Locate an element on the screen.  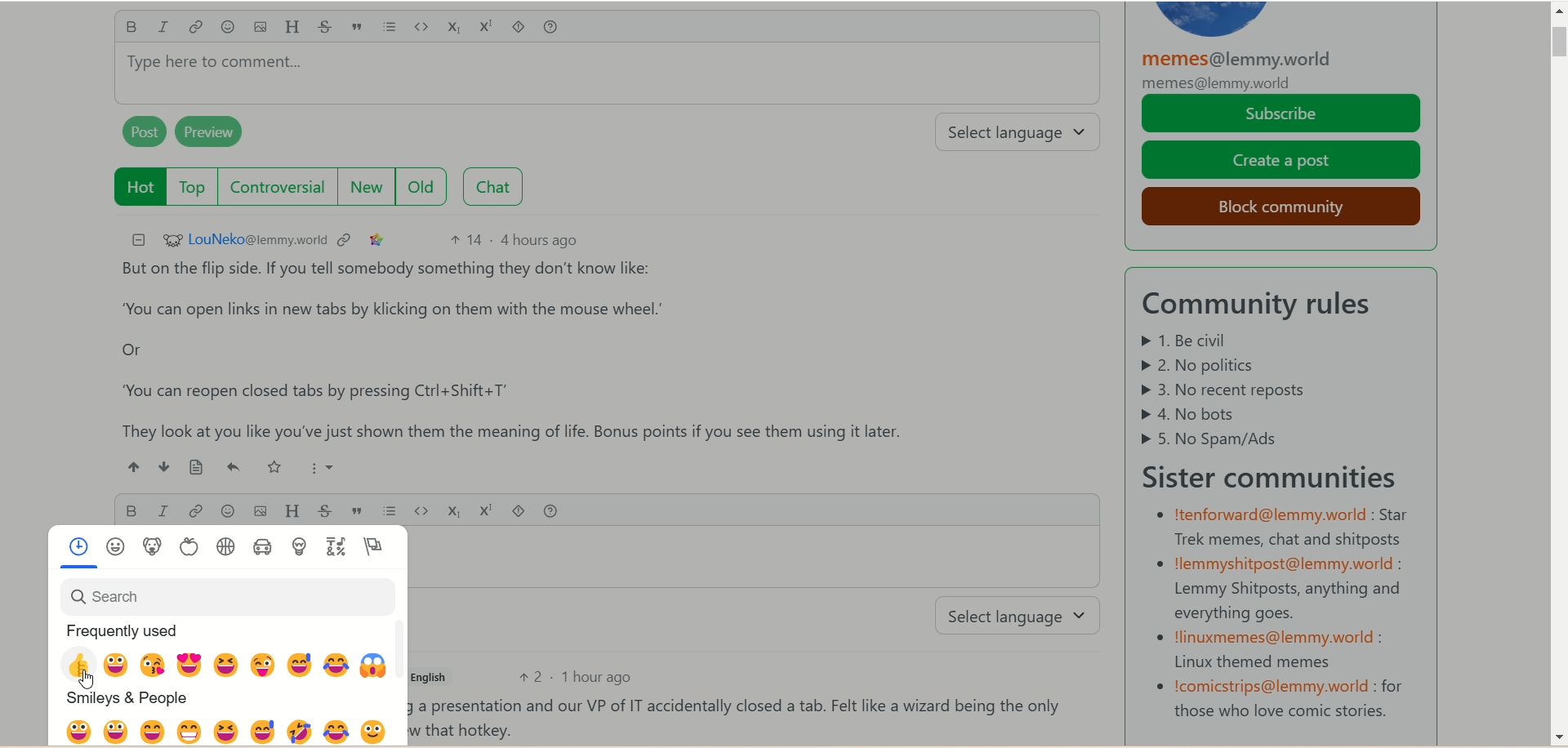
minimize is located at coordinates (134, 238).